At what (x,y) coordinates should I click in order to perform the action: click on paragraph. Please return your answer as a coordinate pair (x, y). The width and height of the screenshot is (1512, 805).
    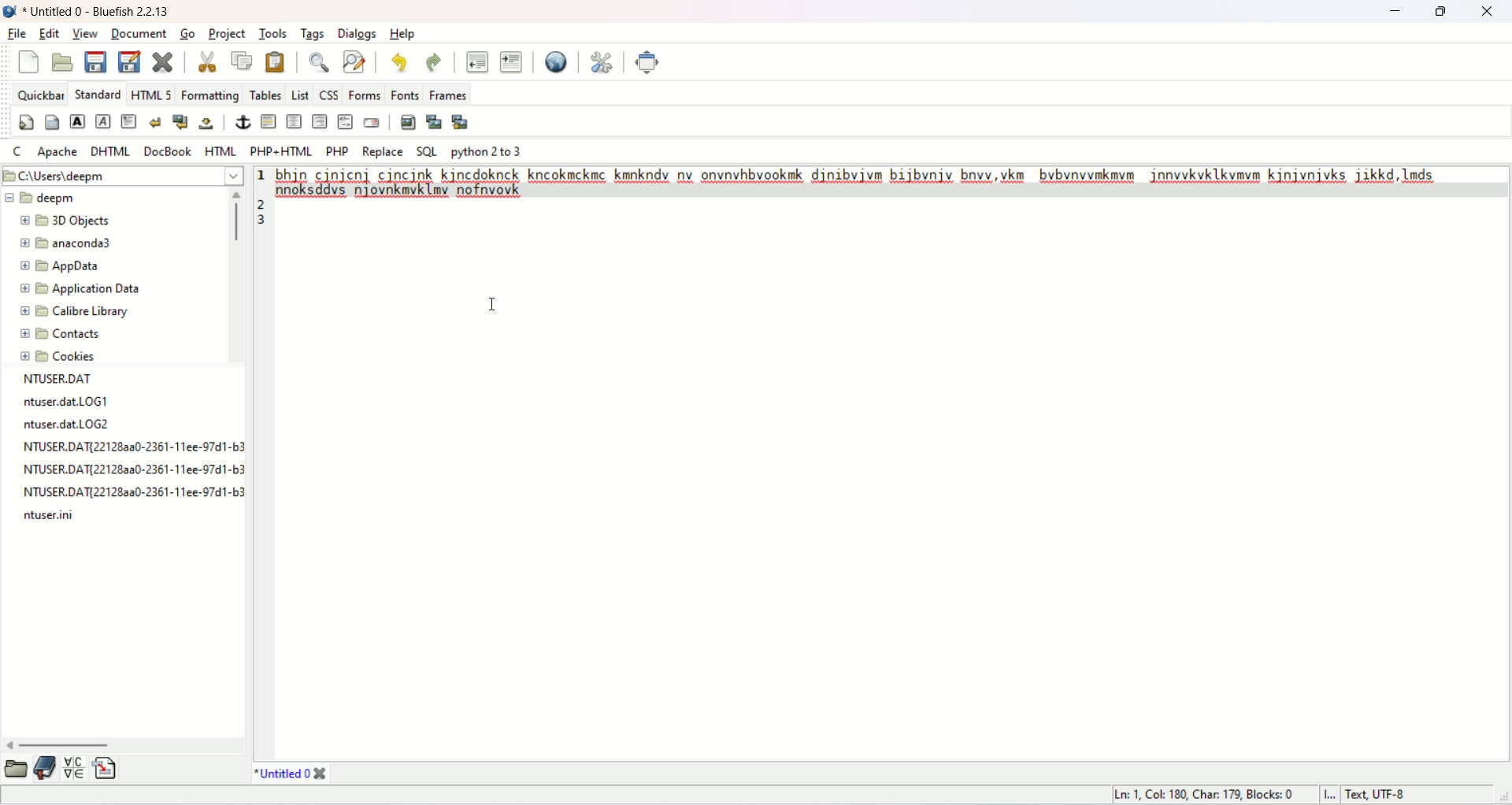
    Looking at the image, I should click on (130, 122).